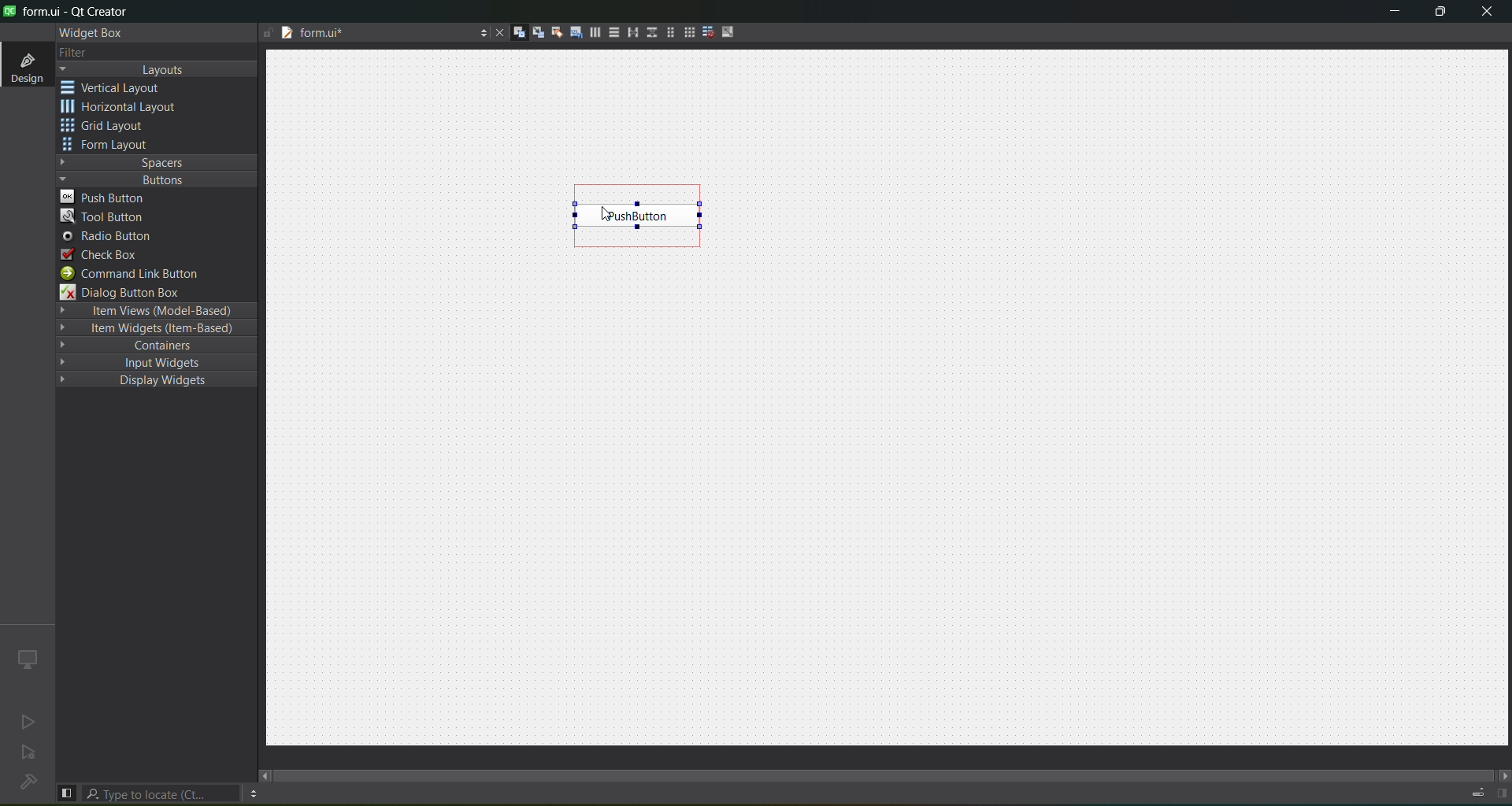 This screenshot has width=1512, height=806. I want to click on no project loading, so click(25, 783).